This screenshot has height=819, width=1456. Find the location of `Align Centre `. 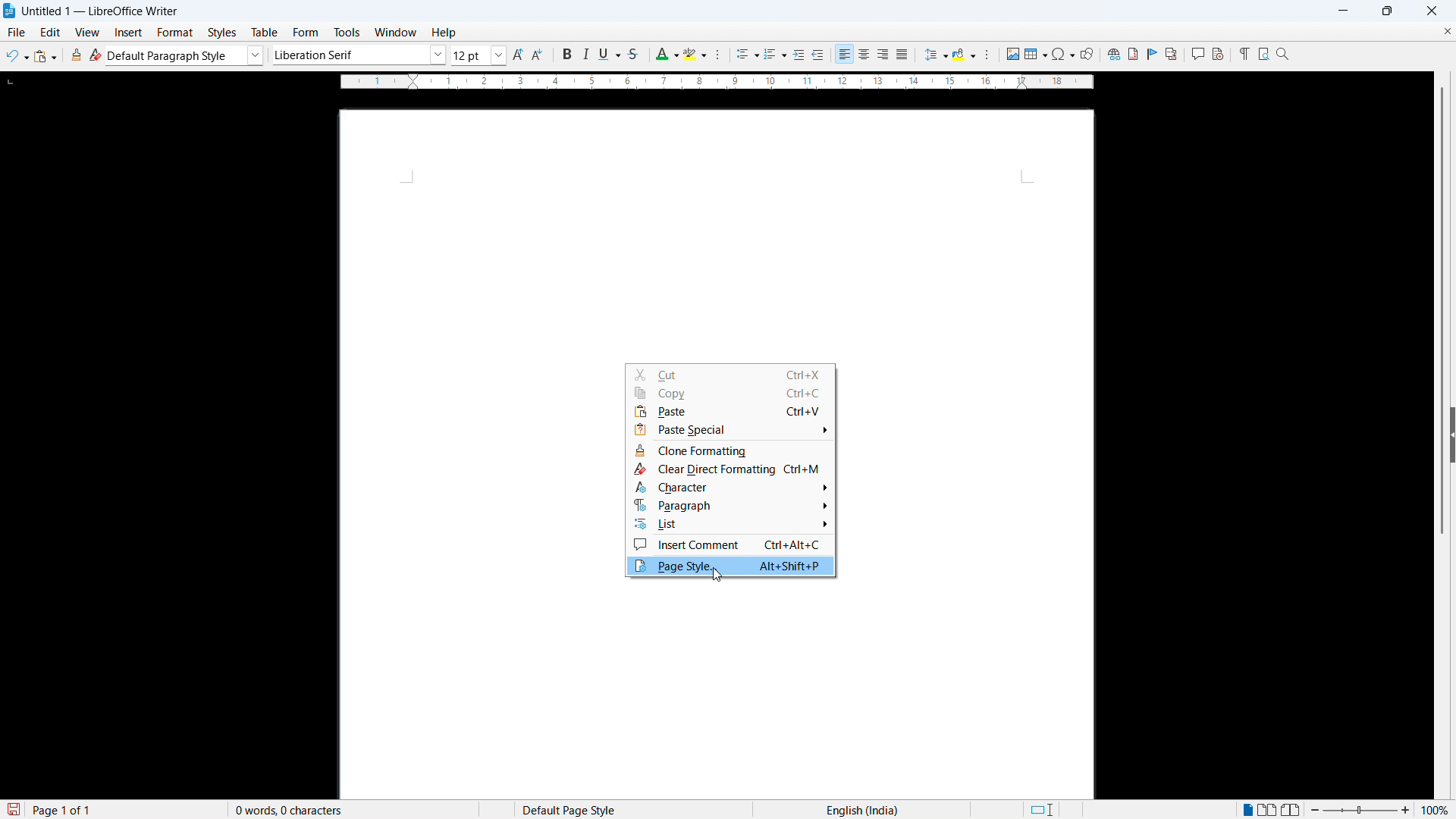

Align Centre  is located at coordinates (864, 55).